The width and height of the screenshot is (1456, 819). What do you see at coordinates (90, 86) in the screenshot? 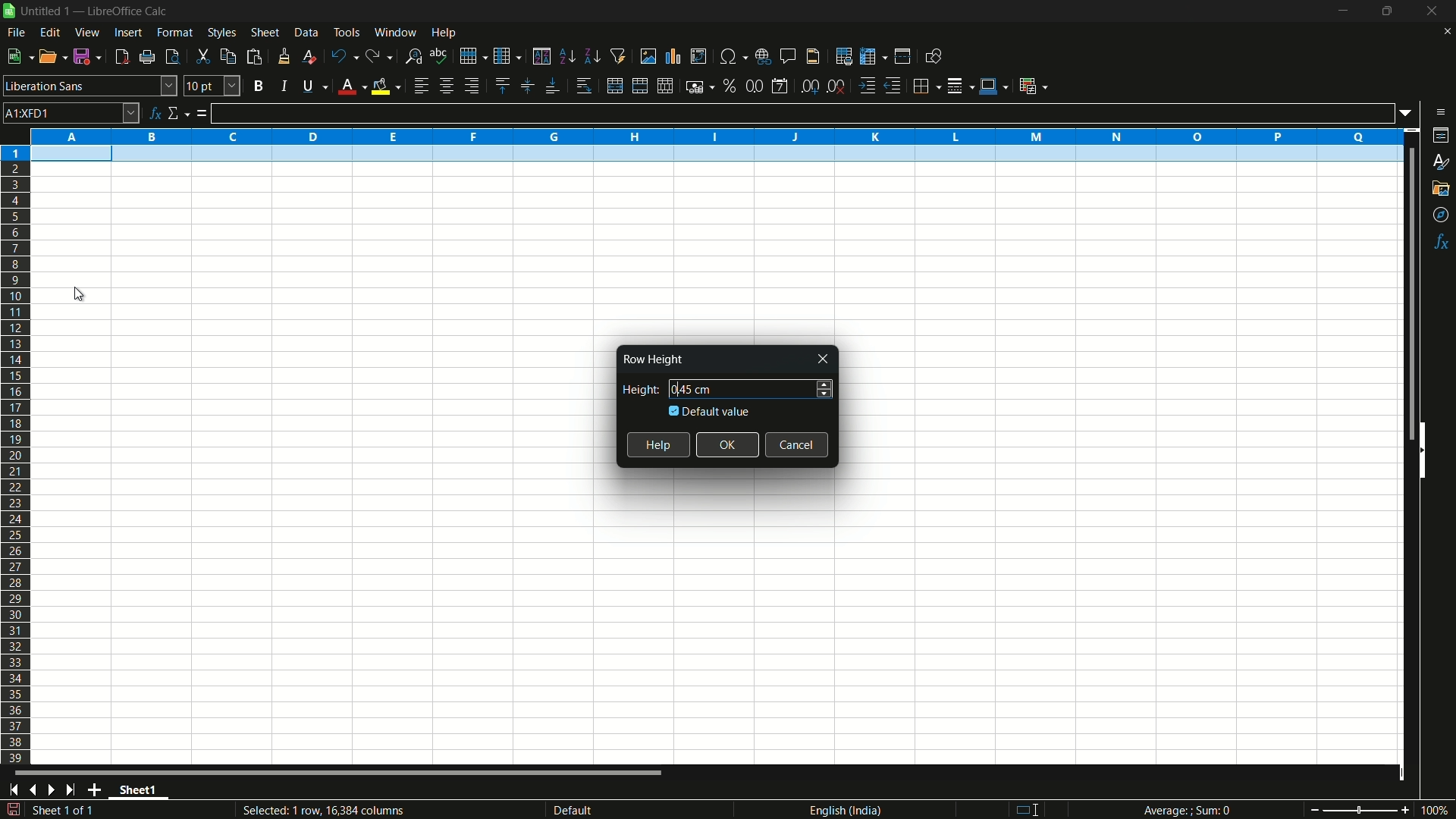
I see `font name` at bounding box center [90, 86].